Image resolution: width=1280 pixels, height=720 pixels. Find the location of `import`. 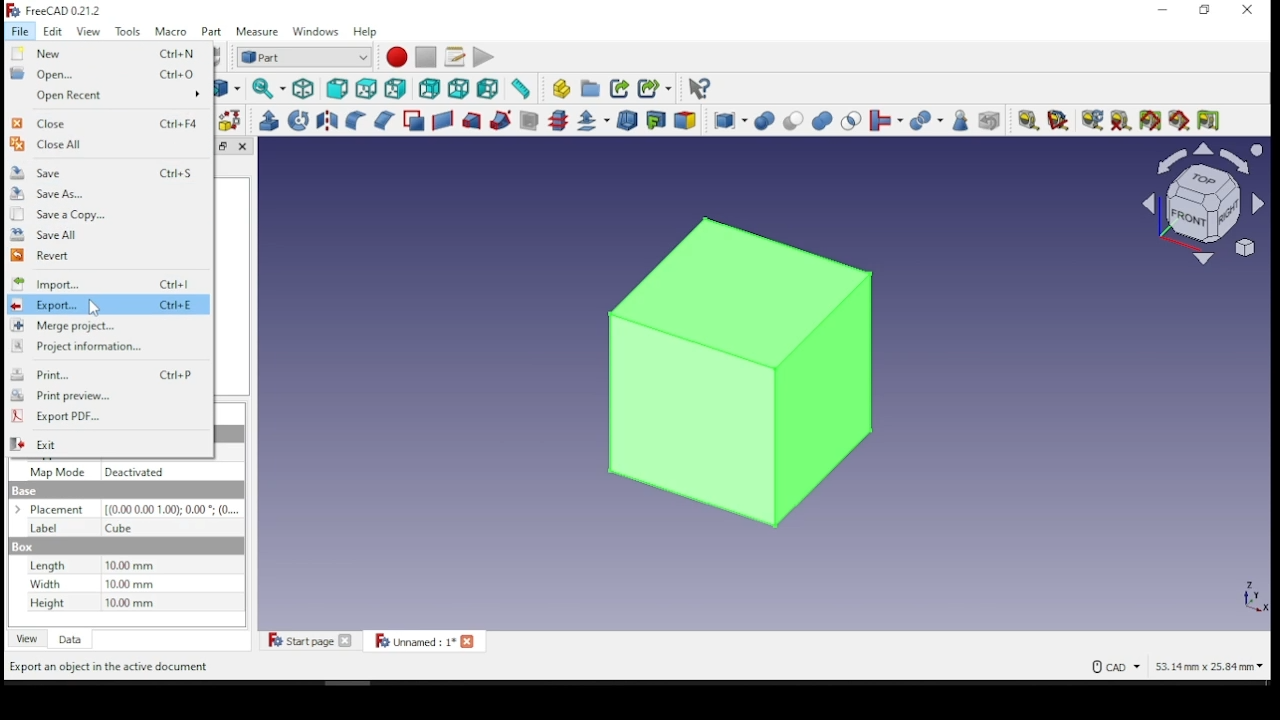

import is located at coordinates (103, 283).